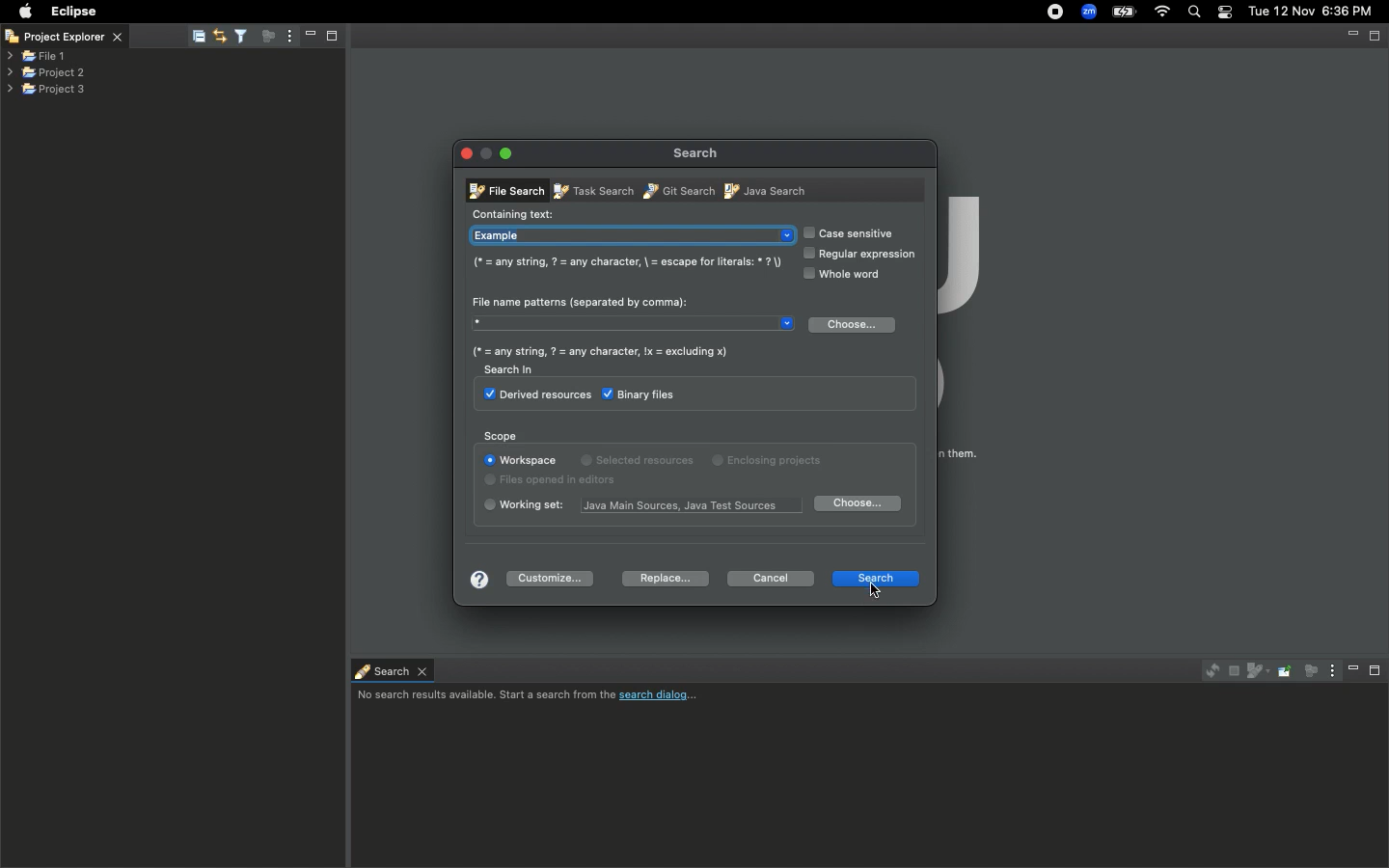 The image size is (1389, 868). What do you see at coordinates (534, 697) in the screenshot?
I see `Search dialog` at bounding box center [534, 697].